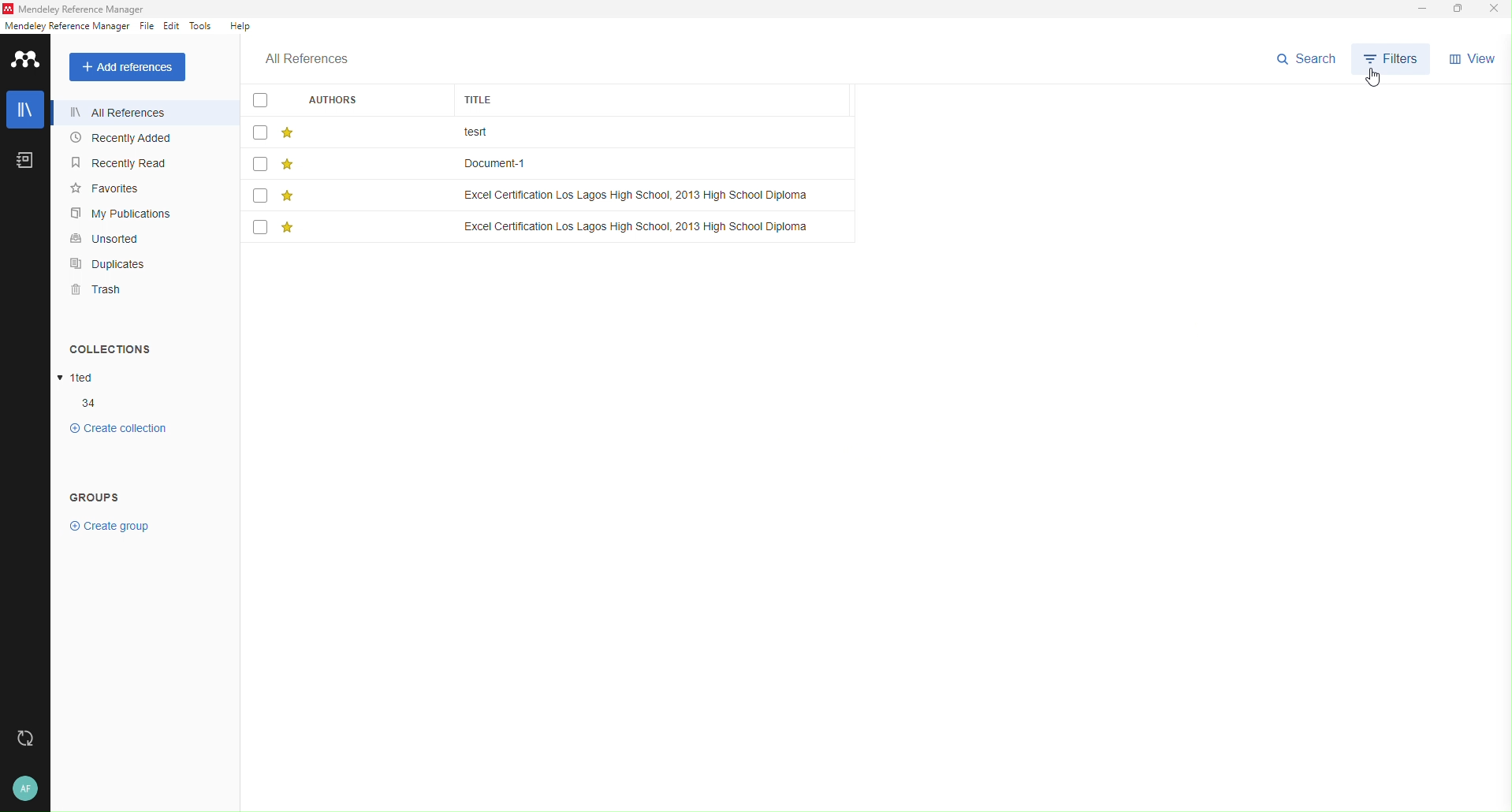  What do you see at coordinates (1379, 84) in the screenshot?
I see `cursor` at bounding box center [1379, 84].